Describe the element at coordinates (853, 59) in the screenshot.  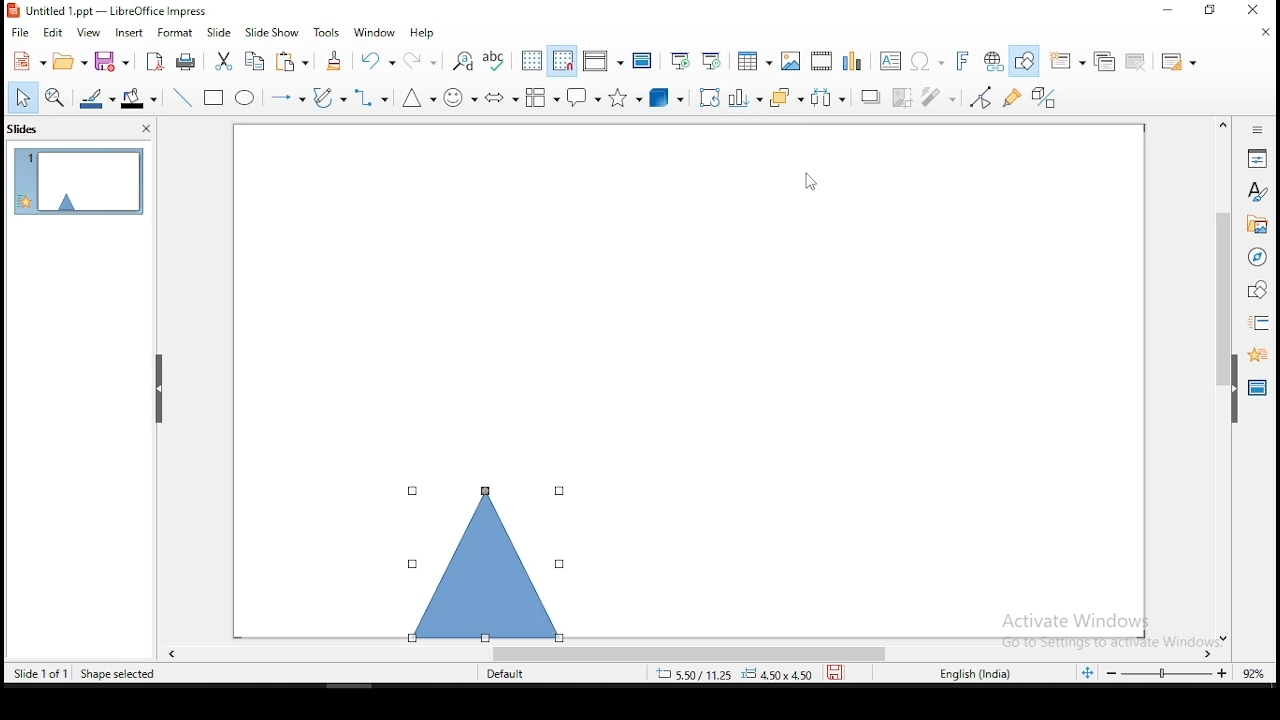
I see `charts` at that location.